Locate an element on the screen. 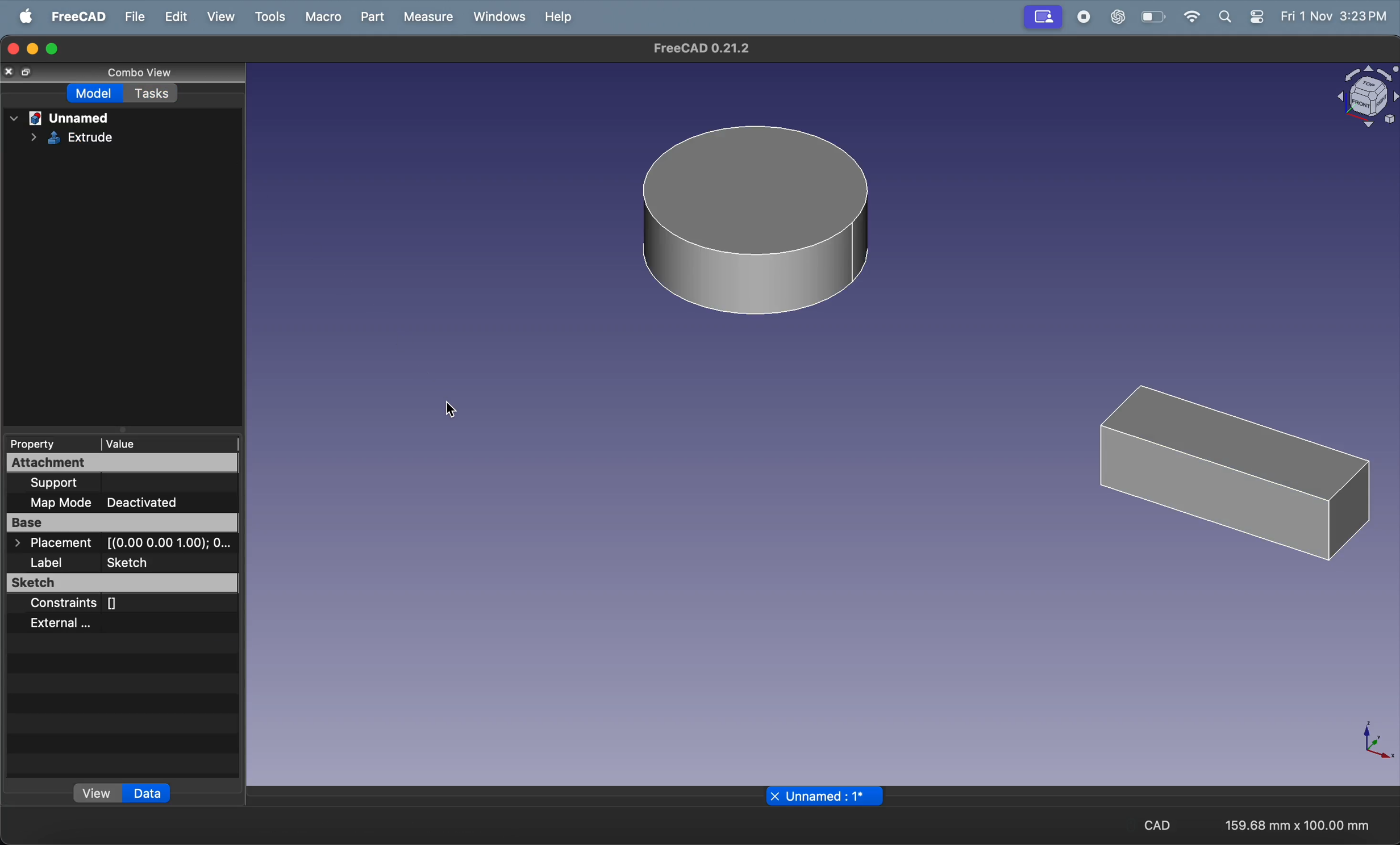 The width and height of the screenshot is (1400, 845). Label   Sketch is located at coordinates (93, 562).